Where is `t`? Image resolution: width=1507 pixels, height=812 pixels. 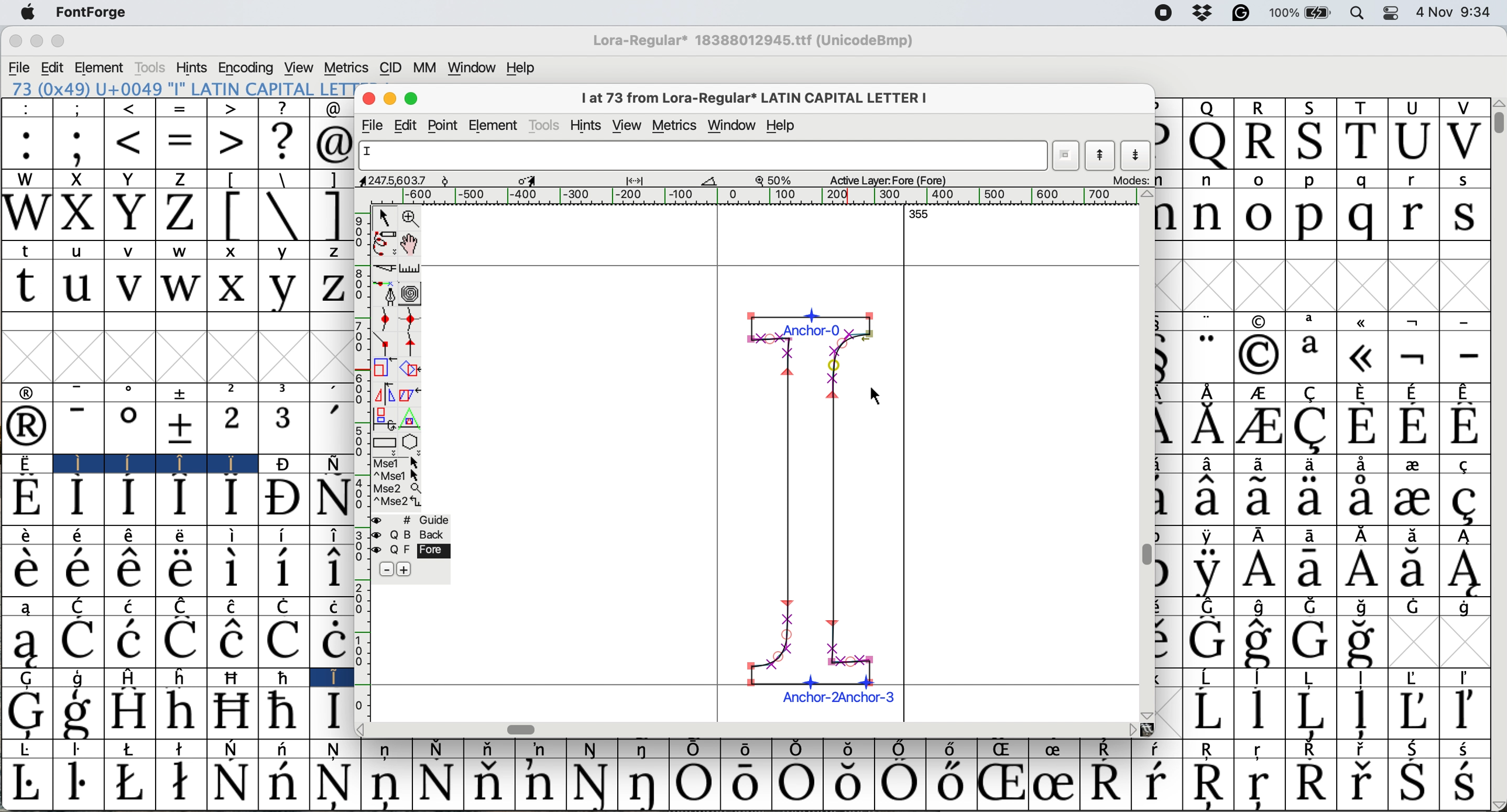
t is located at coordinates (25, 287).